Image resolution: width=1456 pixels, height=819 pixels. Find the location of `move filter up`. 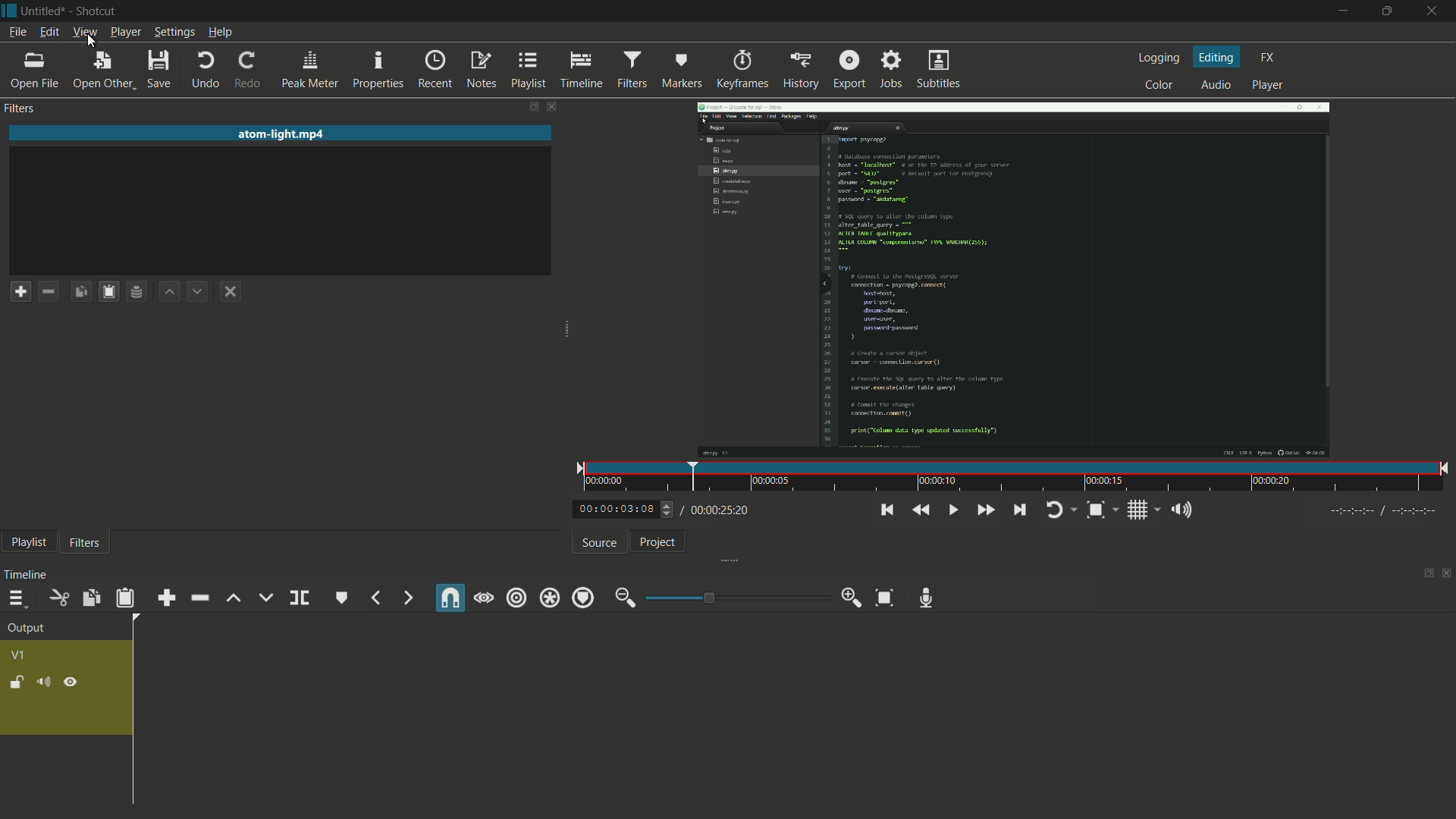

move filter up is located at coordinates (171, 291).